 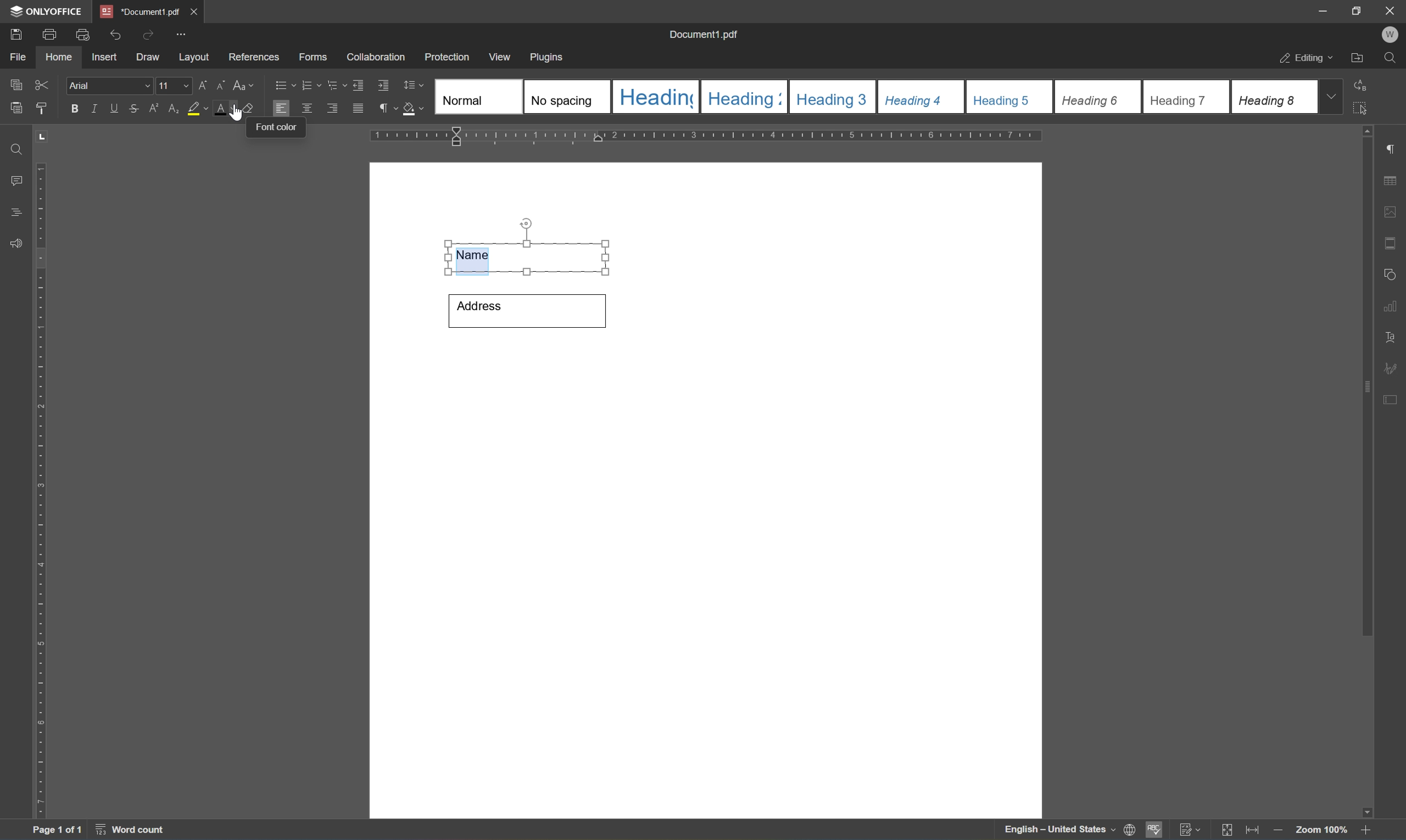 I want to click on comment, so click(x=14, y=179).